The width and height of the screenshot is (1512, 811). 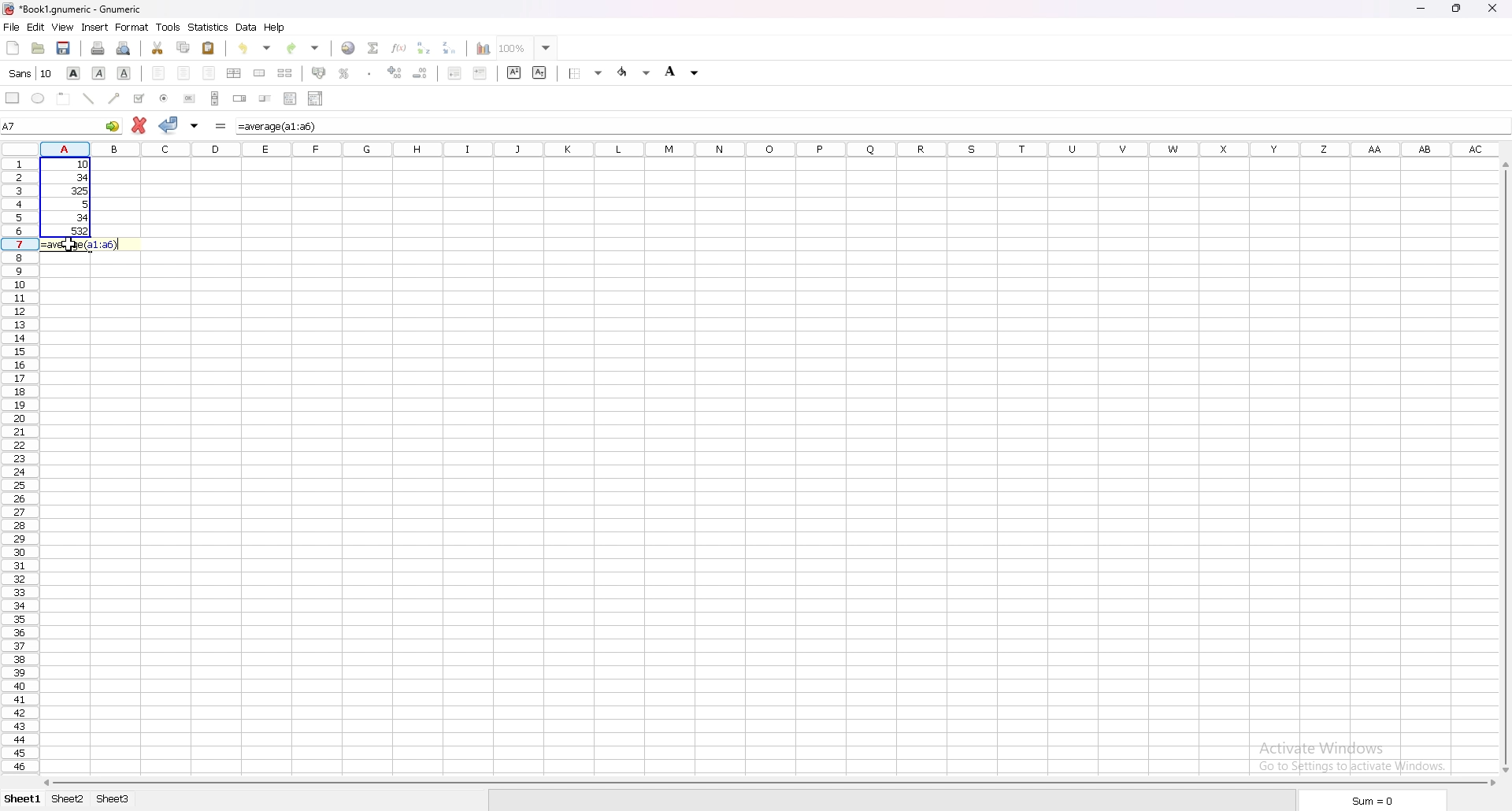 I want to click on accept changes, so click(x=168, y=124).